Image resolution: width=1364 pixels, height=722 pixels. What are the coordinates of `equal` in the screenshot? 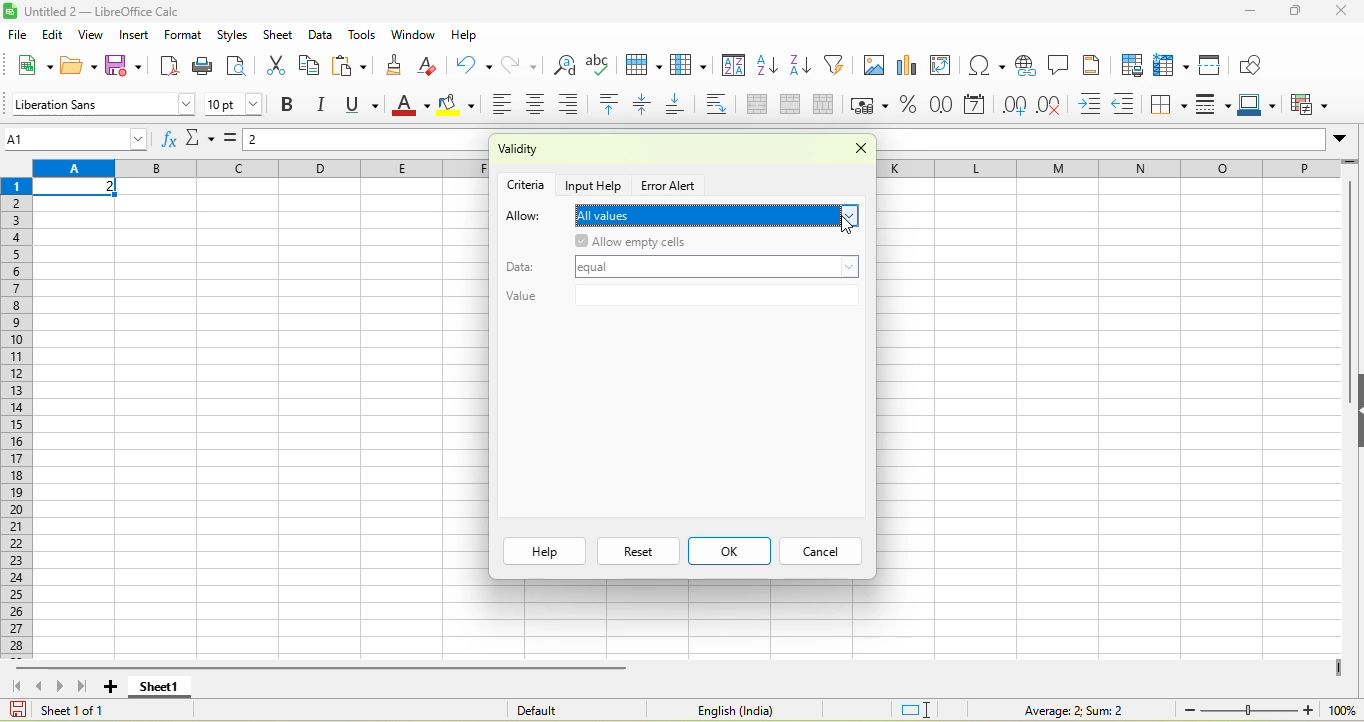 It's located at (717, 269).